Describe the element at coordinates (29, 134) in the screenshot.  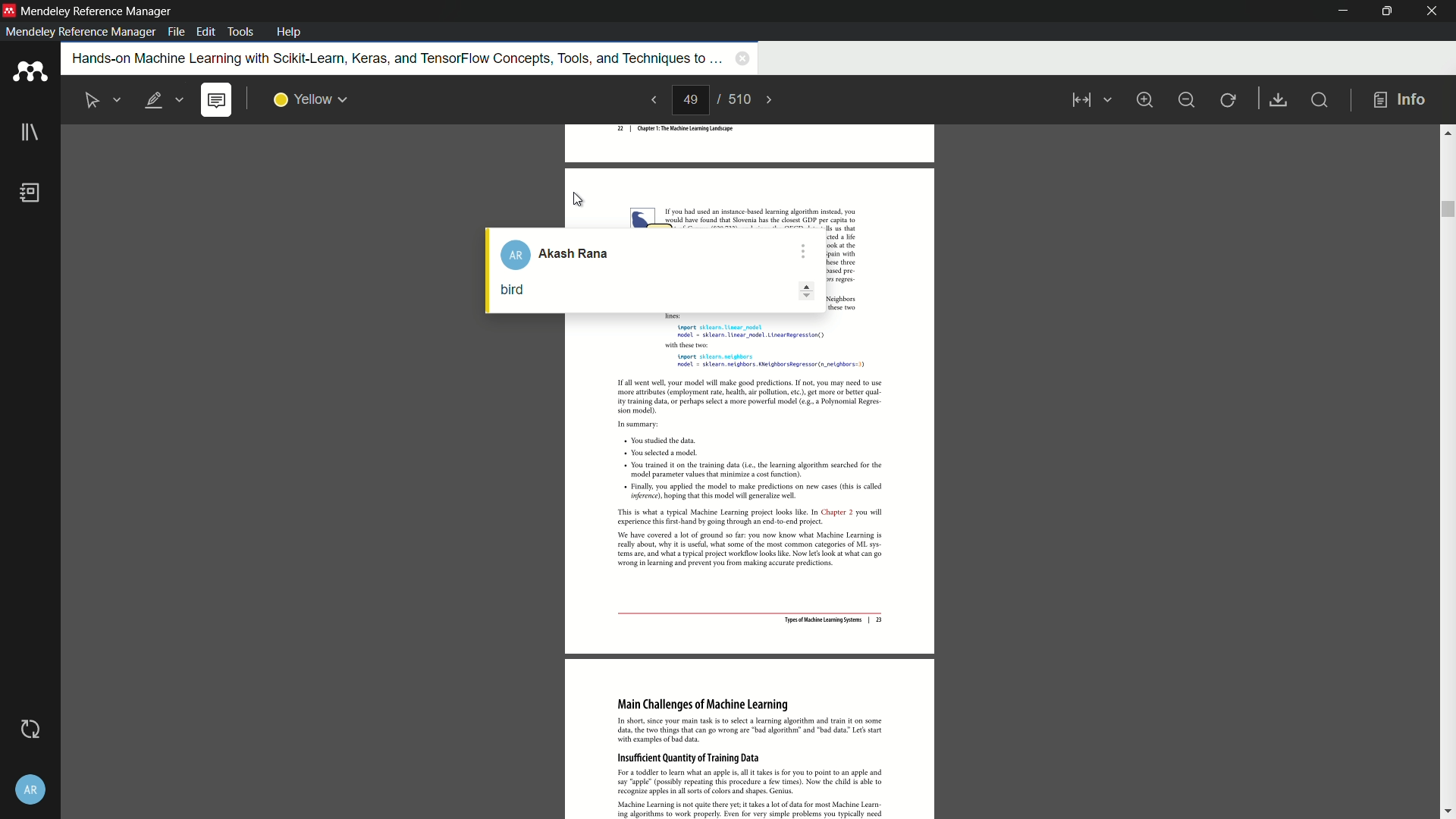
I see `library` at that location.